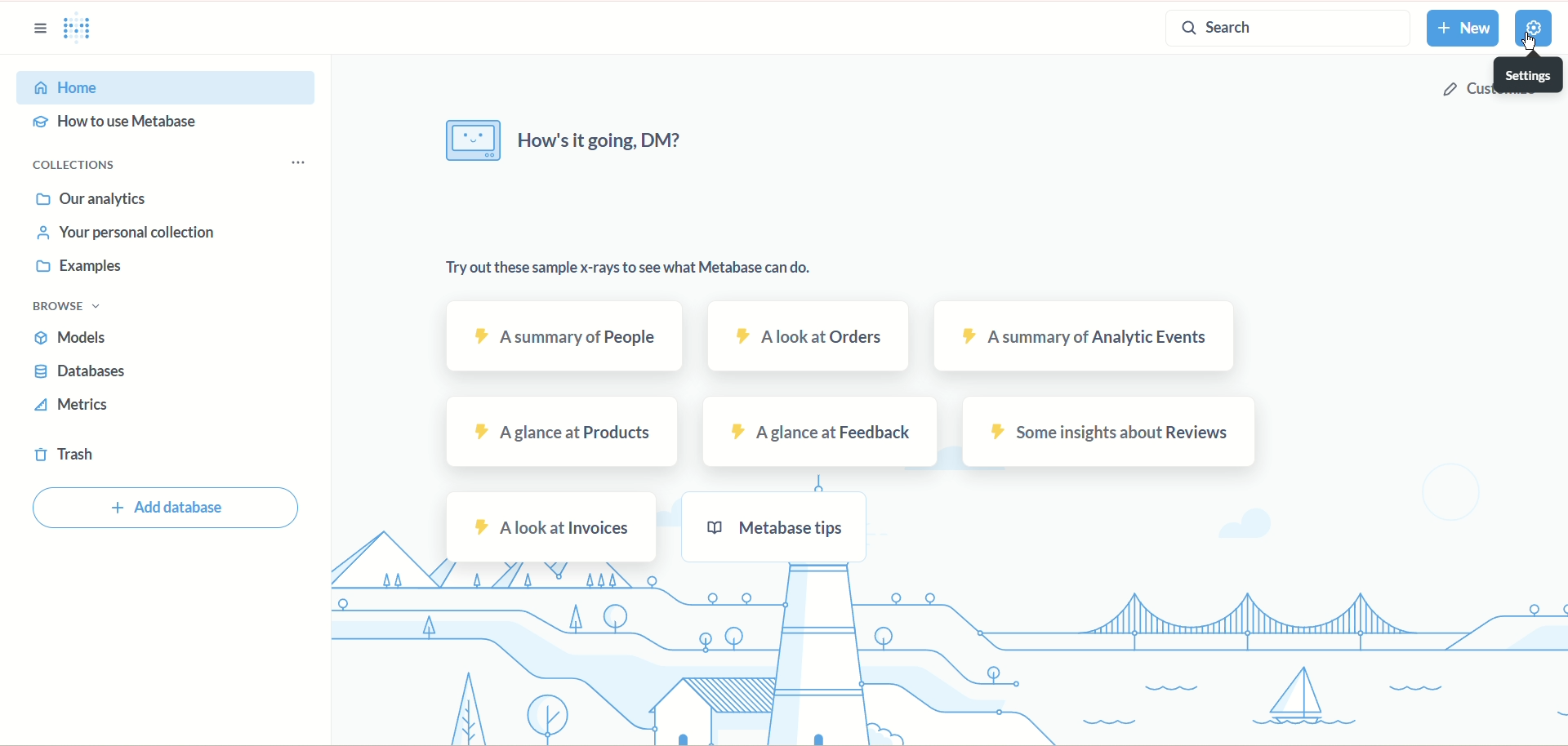 Image resolution: width=1568 pixels, height=746 pixels. I want to click on examples, so click(85, 266).